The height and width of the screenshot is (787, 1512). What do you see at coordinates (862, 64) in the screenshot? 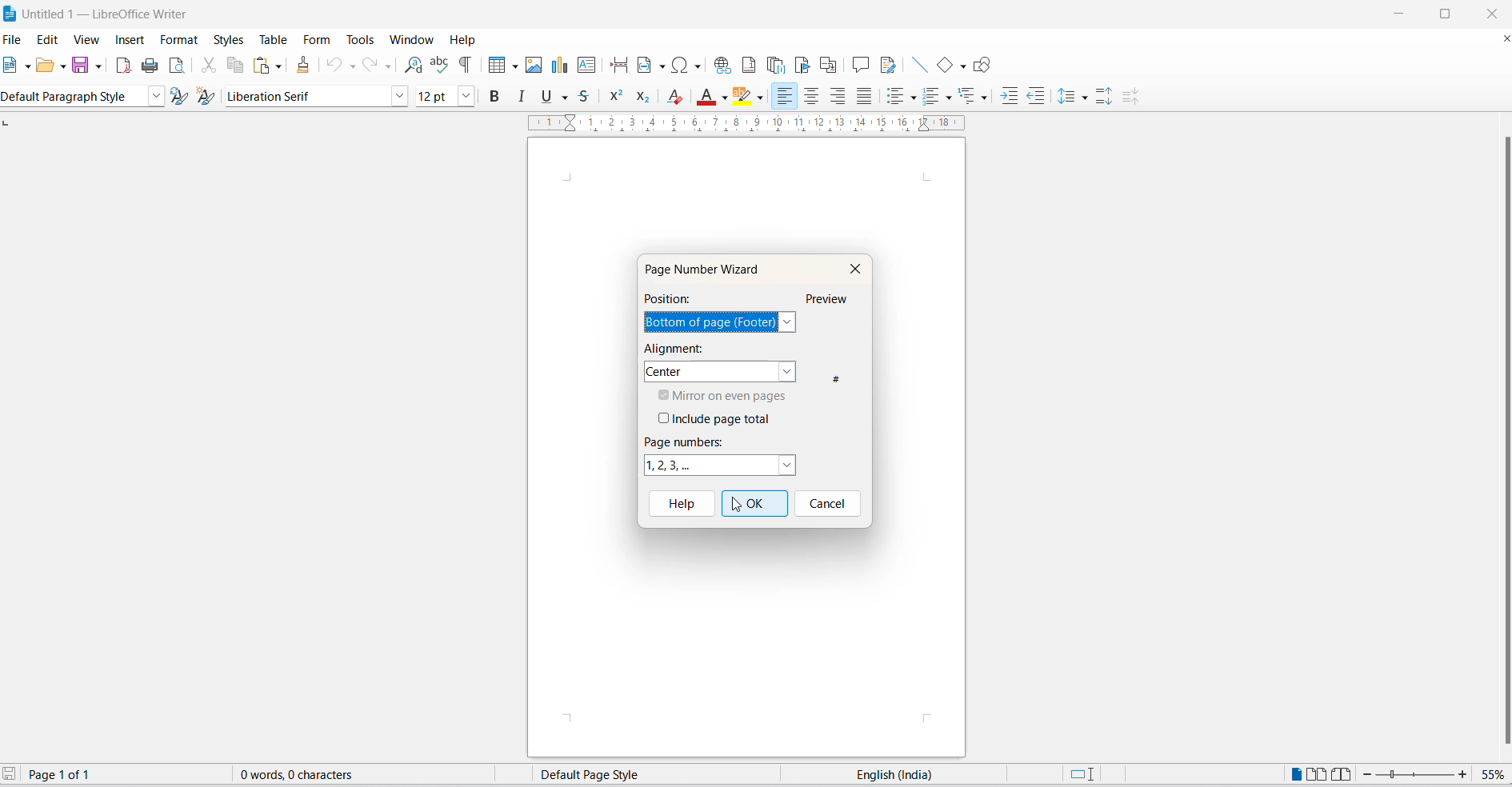
I see `insert comments` at bounding box center [862, 64].